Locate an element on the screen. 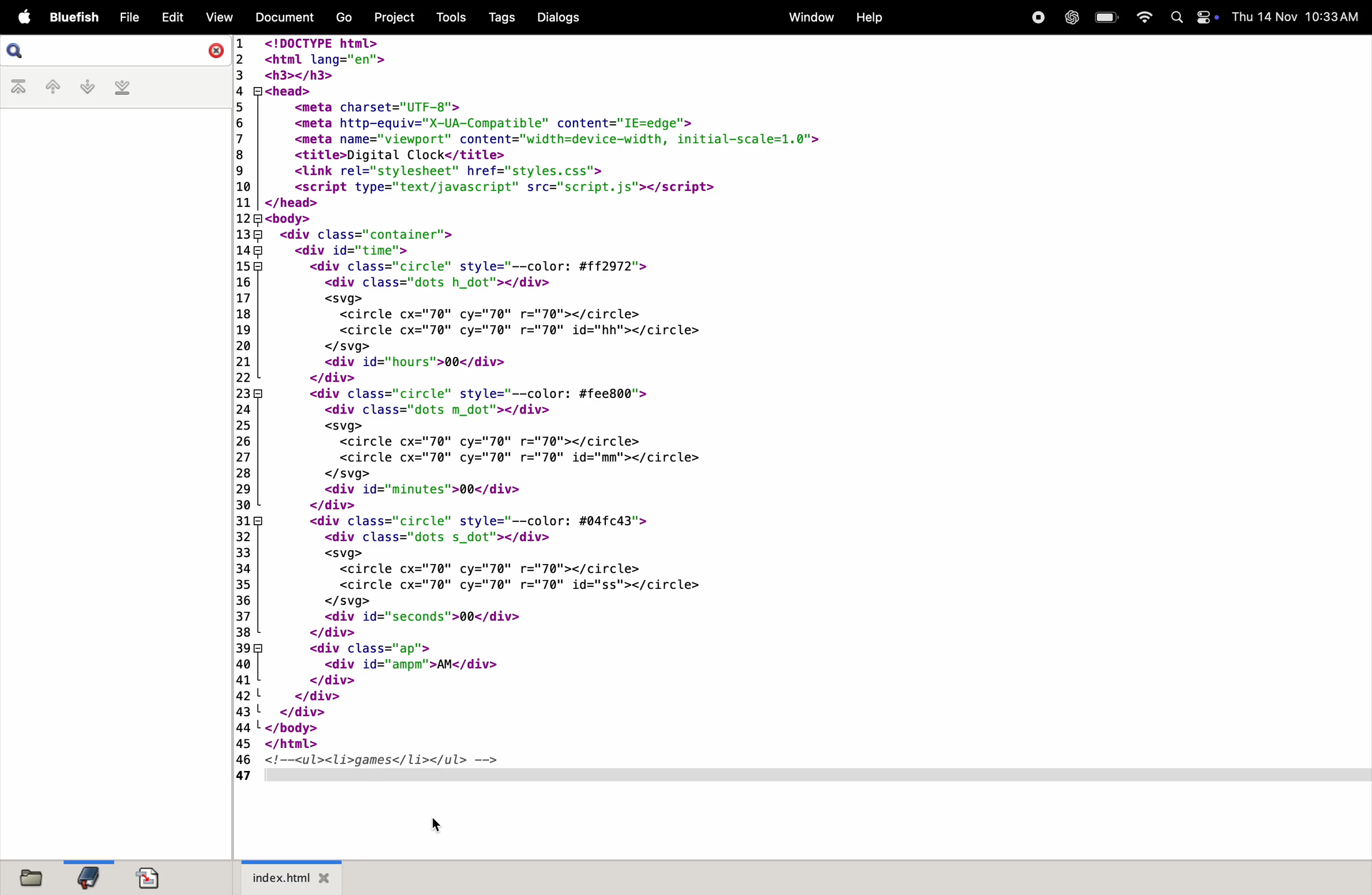 The width and height of the screenshot is (1372, 895). record is located at coordinates (1037, 18).